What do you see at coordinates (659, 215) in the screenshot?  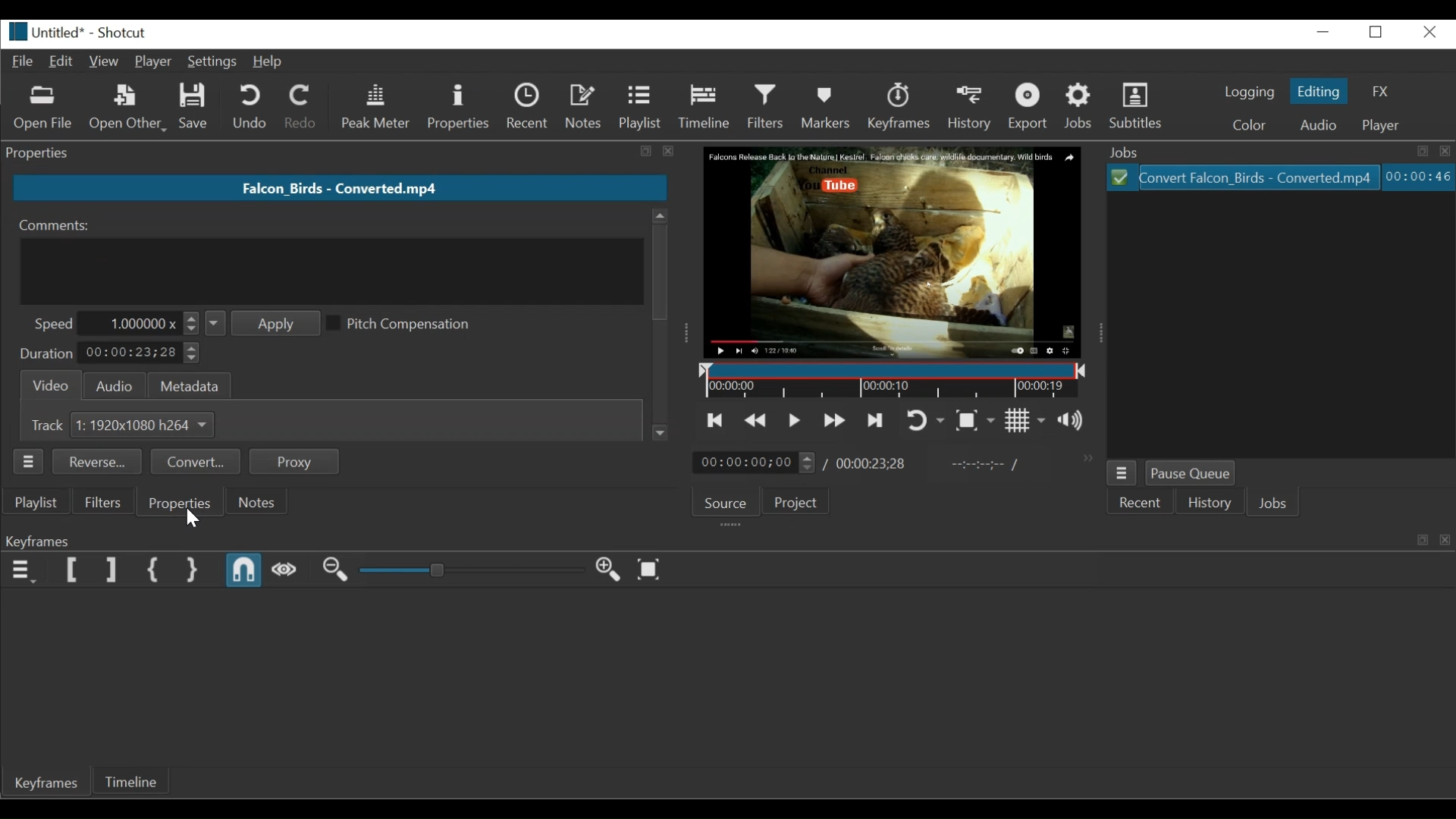 I see `Scroll up` at bounding box center [659, 215].